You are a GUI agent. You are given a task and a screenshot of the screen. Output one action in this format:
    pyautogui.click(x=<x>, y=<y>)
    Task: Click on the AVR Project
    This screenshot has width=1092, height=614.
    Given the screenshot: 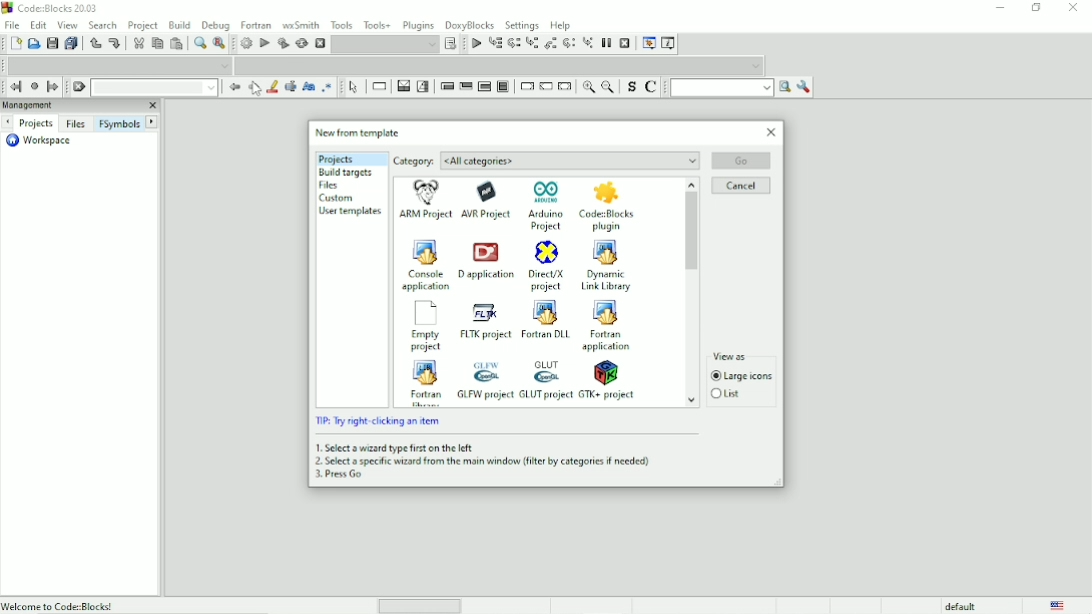 What is the action you would take?
    pyautogui.click(x=489, y=200)
    